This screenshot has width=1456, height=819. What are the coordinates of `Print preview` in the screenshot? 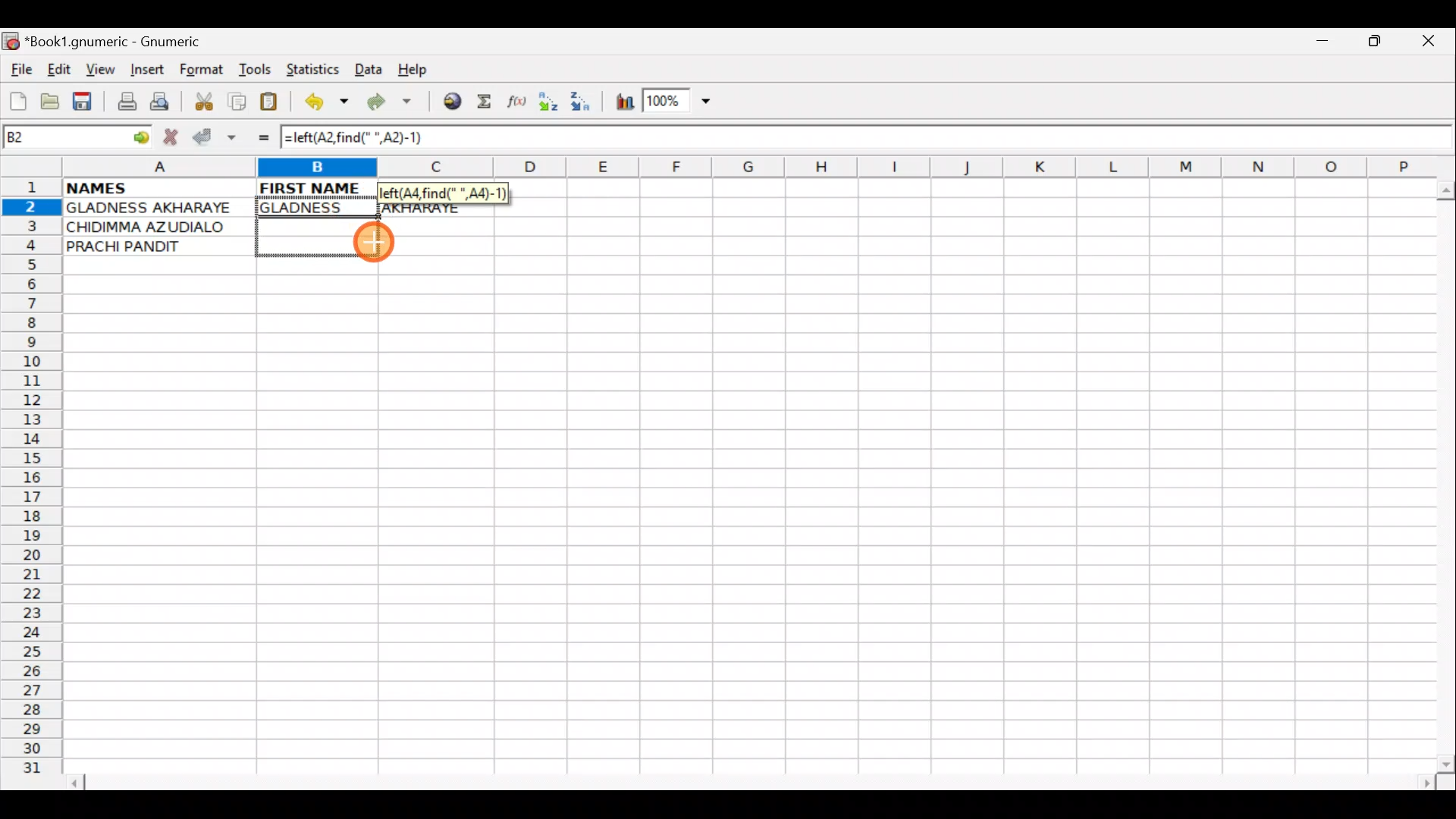 It's located at (160, 105).